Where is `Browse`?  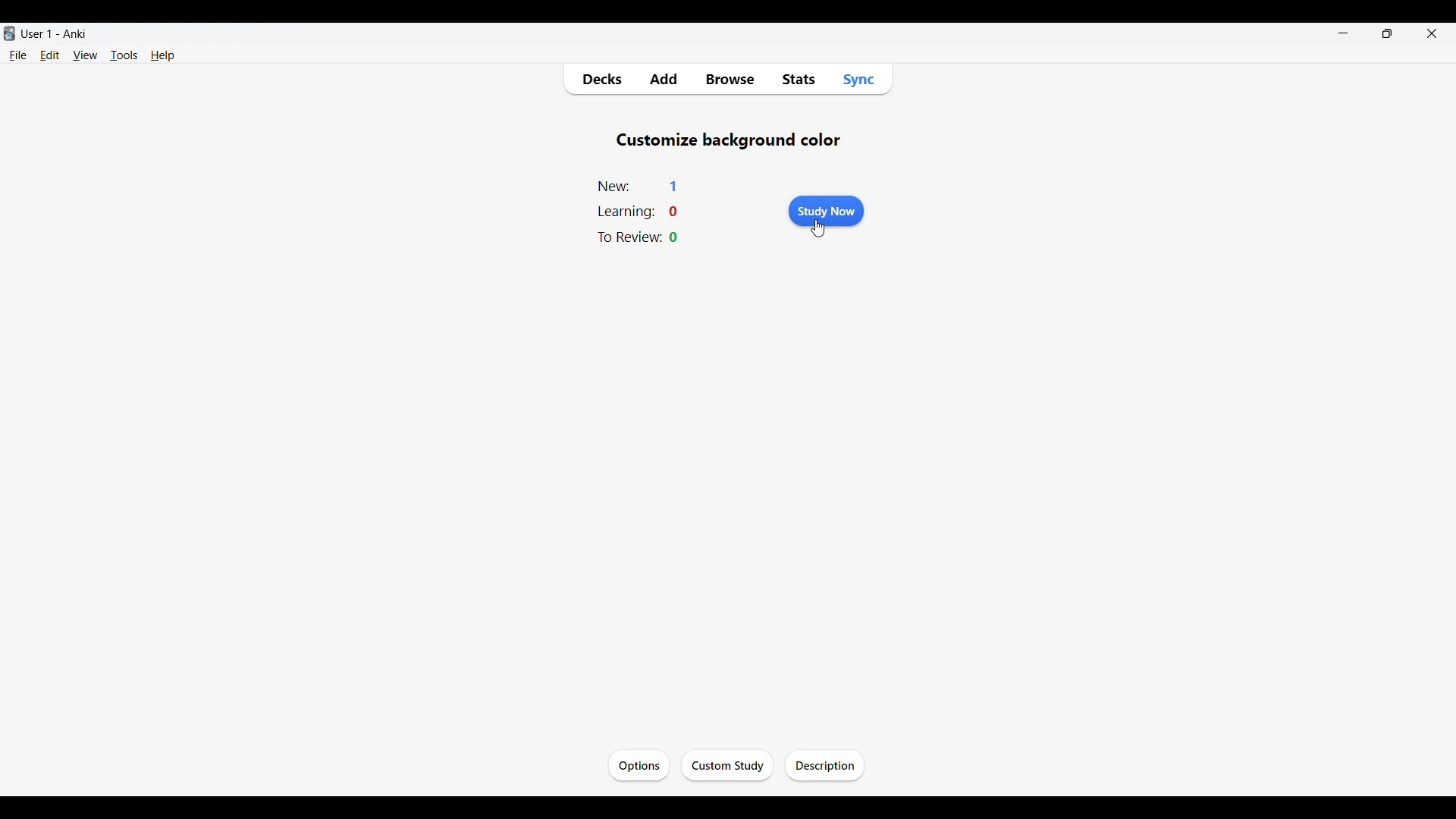
Browse is located at coordinates (729, 80).